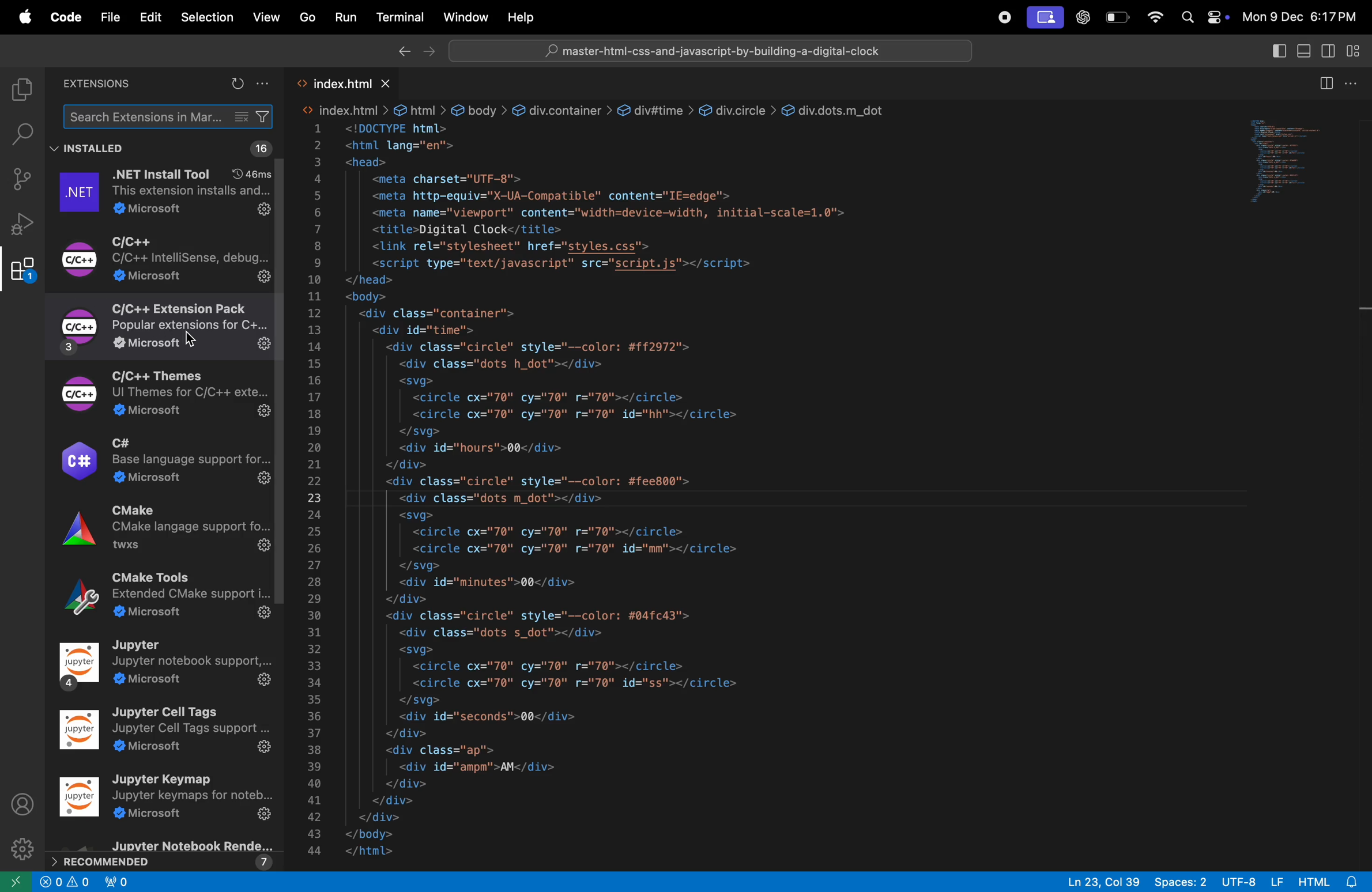 The image size is (1372, 892). I want to click on jupyter tool extesnions, so click(167, 734).